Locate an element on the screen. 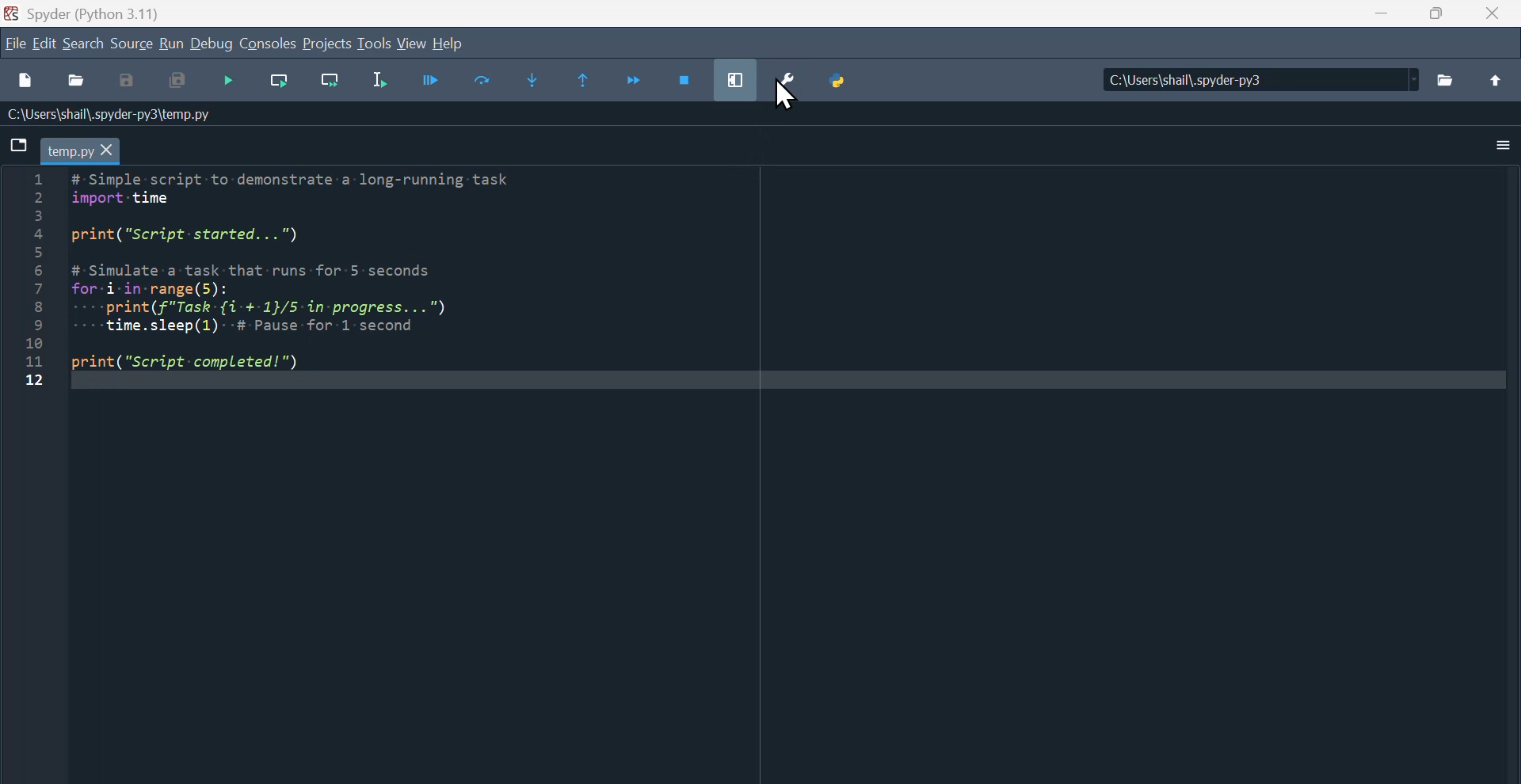 Image resolution: width=1521 pixels, height=784 pixels.  is located at coordinates (115, 116).